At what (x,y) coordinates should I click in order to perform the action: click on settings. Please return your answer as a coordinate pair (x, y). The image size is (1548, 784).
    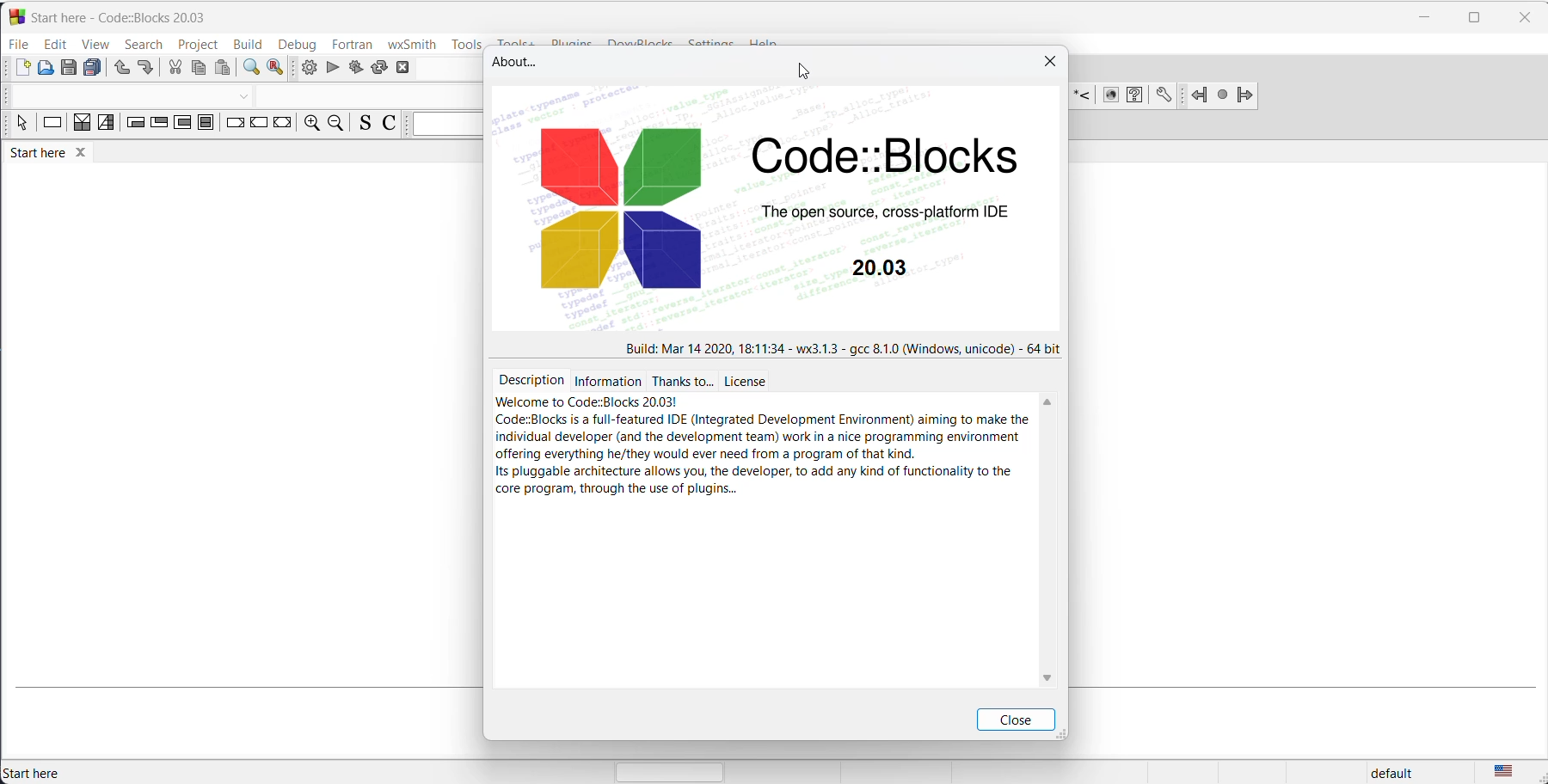
    Looking at the image, I should click on (1159, 95).